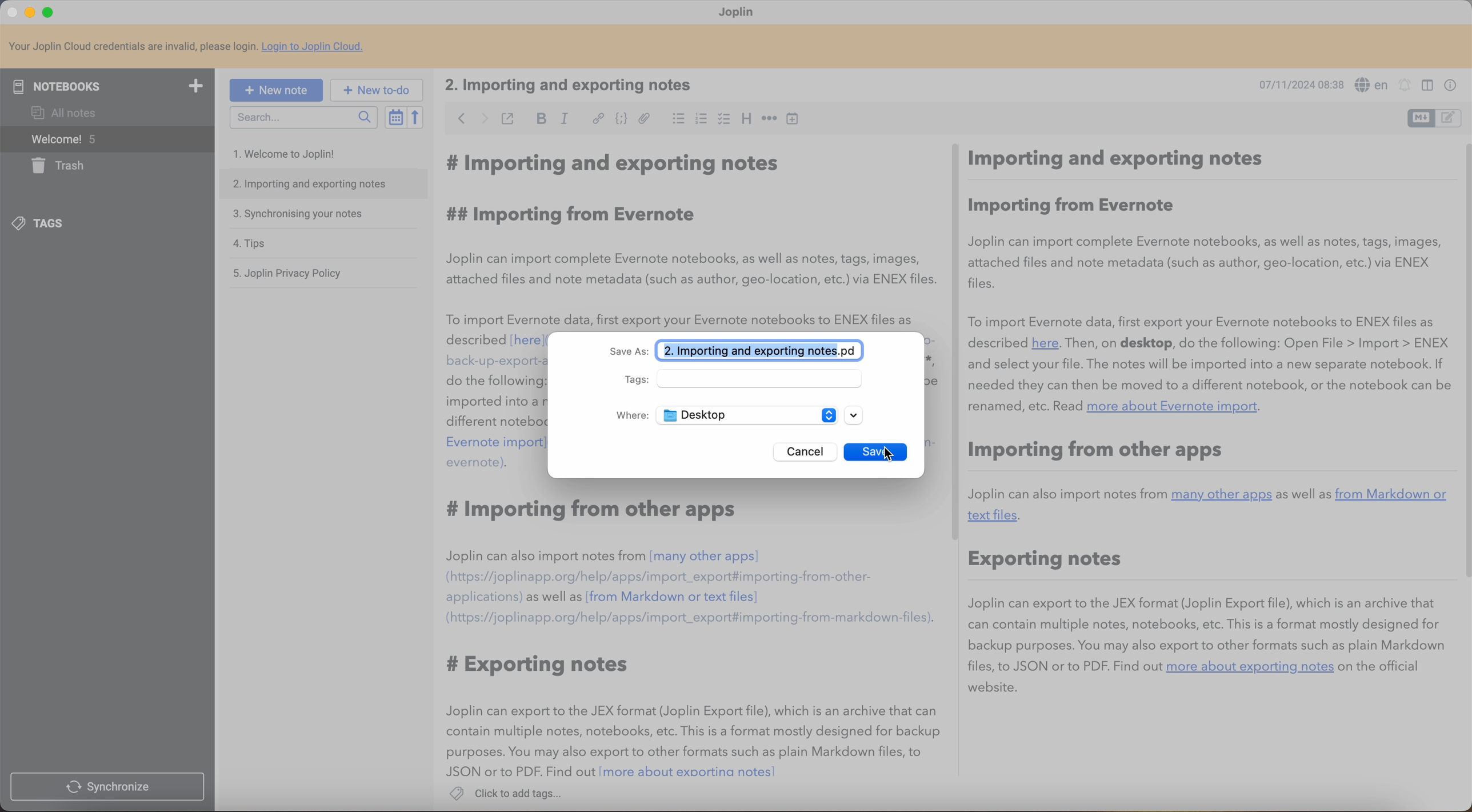 The image size is (1472, 812). What do you see at coordinates (1449, 118) in the screenshot?
I see `toggle editor layout` at bounding box center [1449, 118].